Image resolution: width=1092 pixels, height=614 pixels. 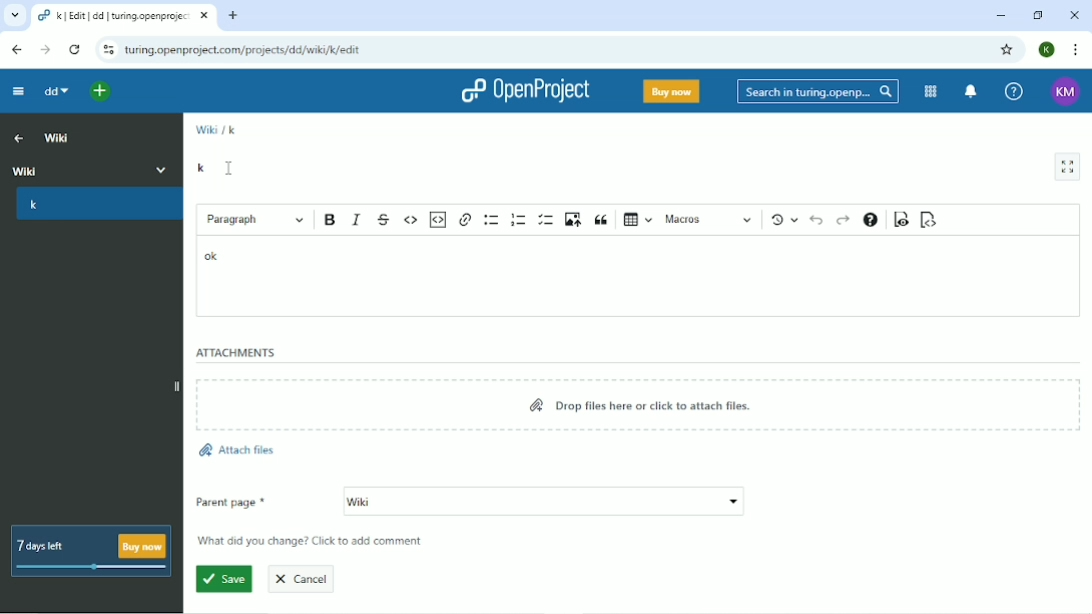 I want to click on More, so click(x=163, y=170).